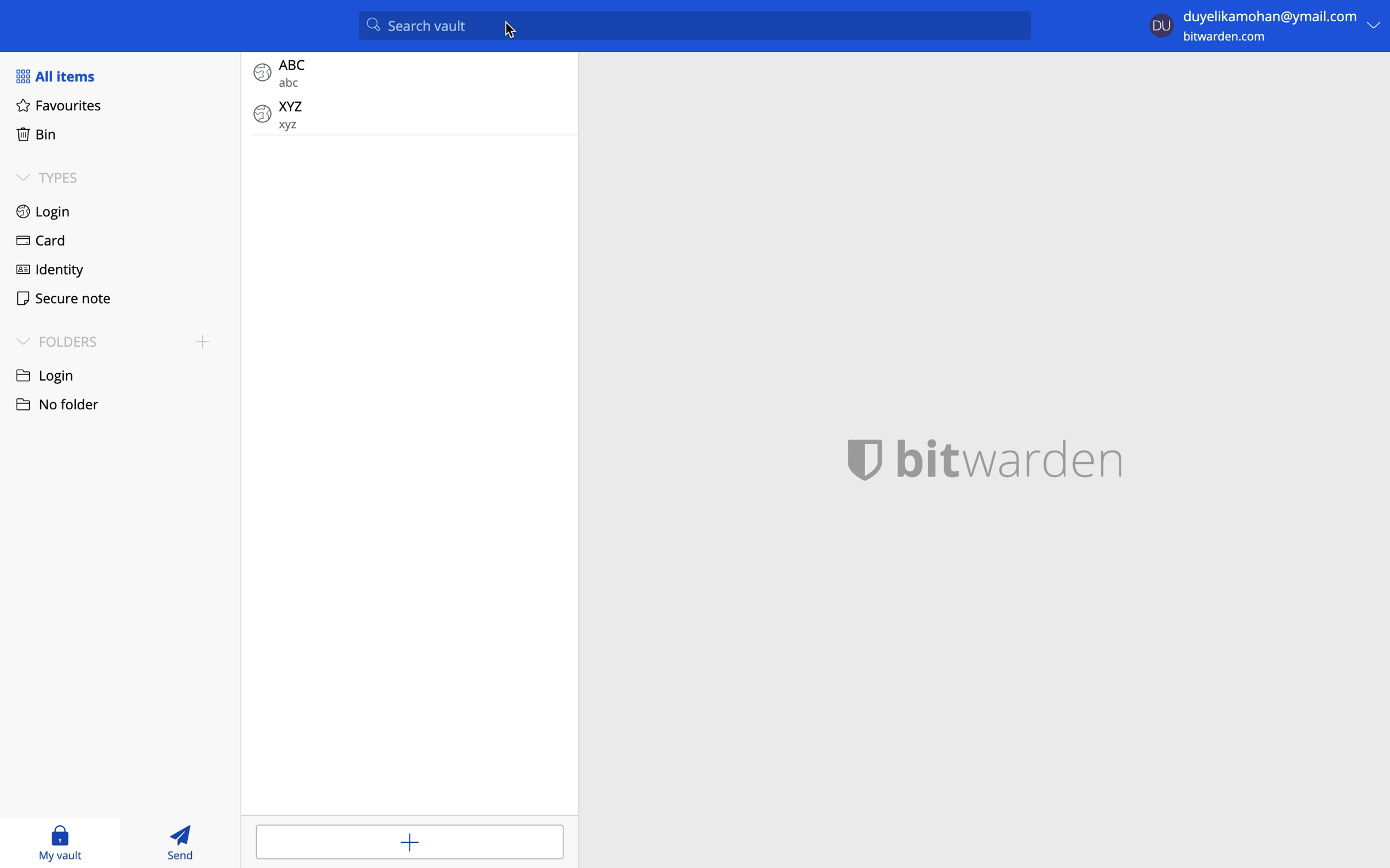 The image size is (1390, 868). What do you see at coordinates (69, 301) in the screenshot?
I see `secure note` at bounding box center [69, 301].